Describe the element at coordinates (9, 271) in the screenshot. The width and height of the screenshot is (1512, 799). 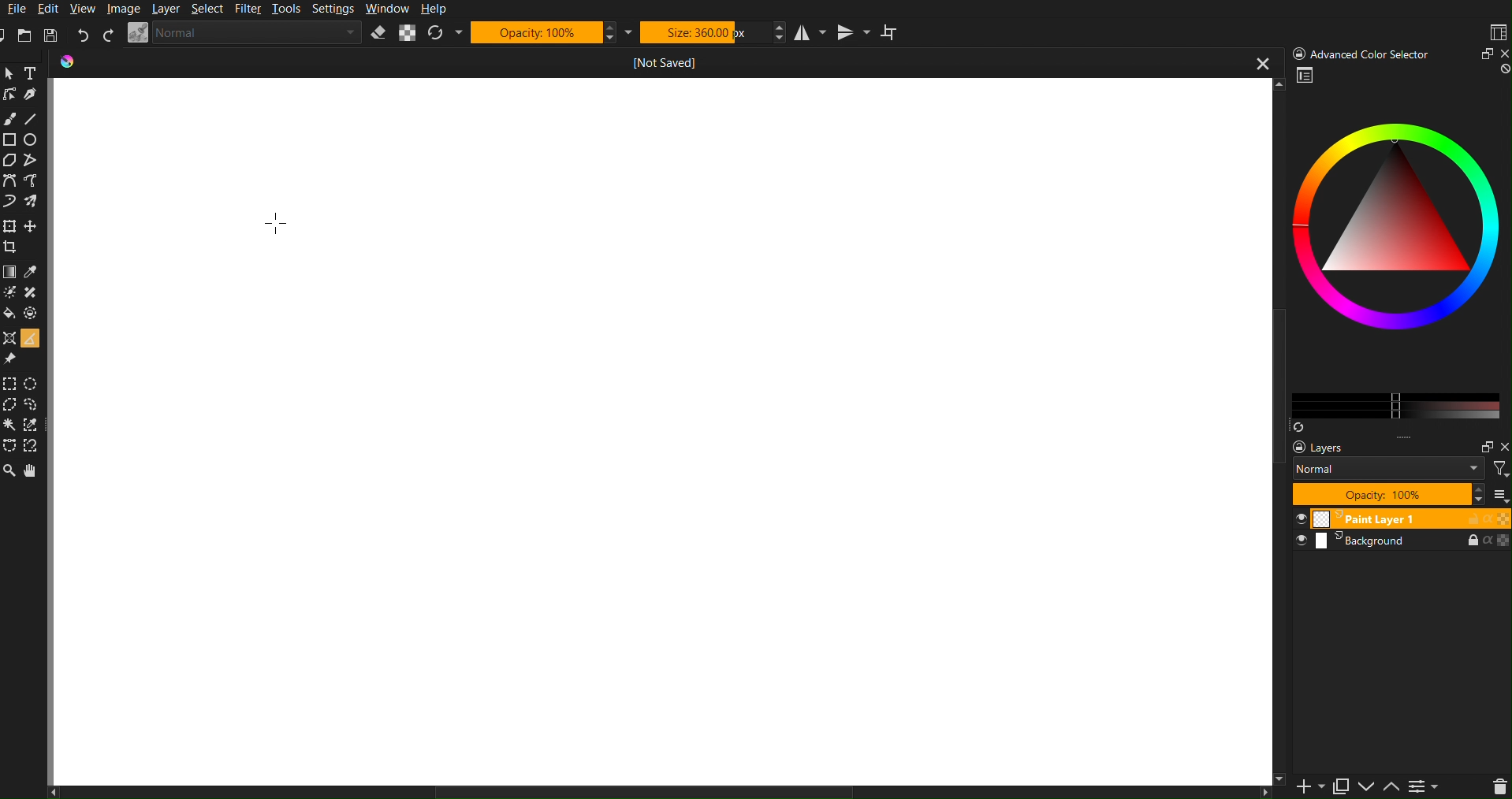
I see `Color Tools` at that location.